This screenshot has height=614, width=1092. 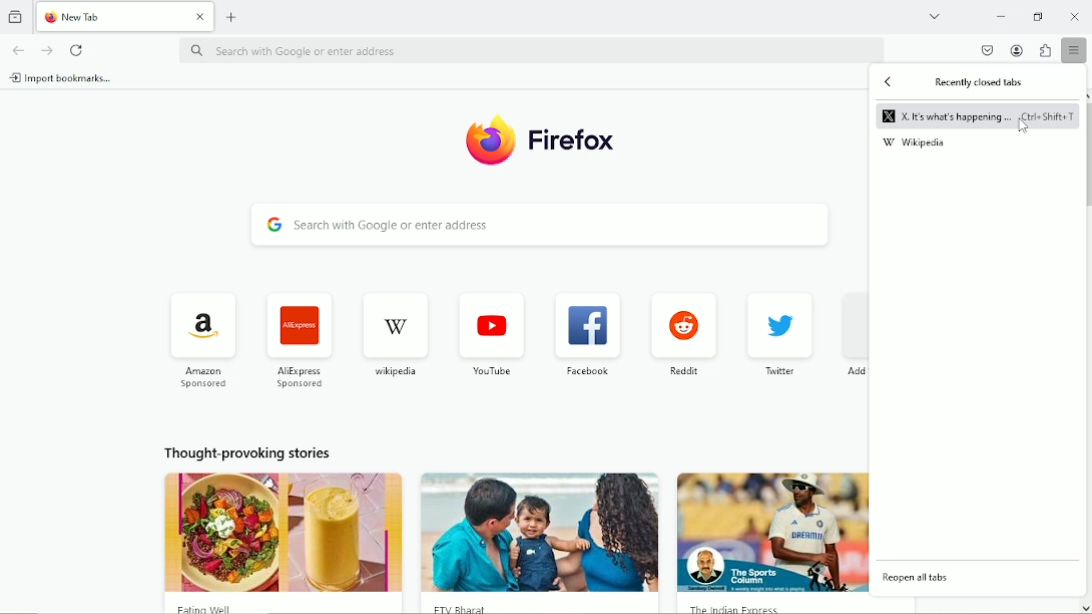 I want to click on new tab, so click(x=234, y=16).